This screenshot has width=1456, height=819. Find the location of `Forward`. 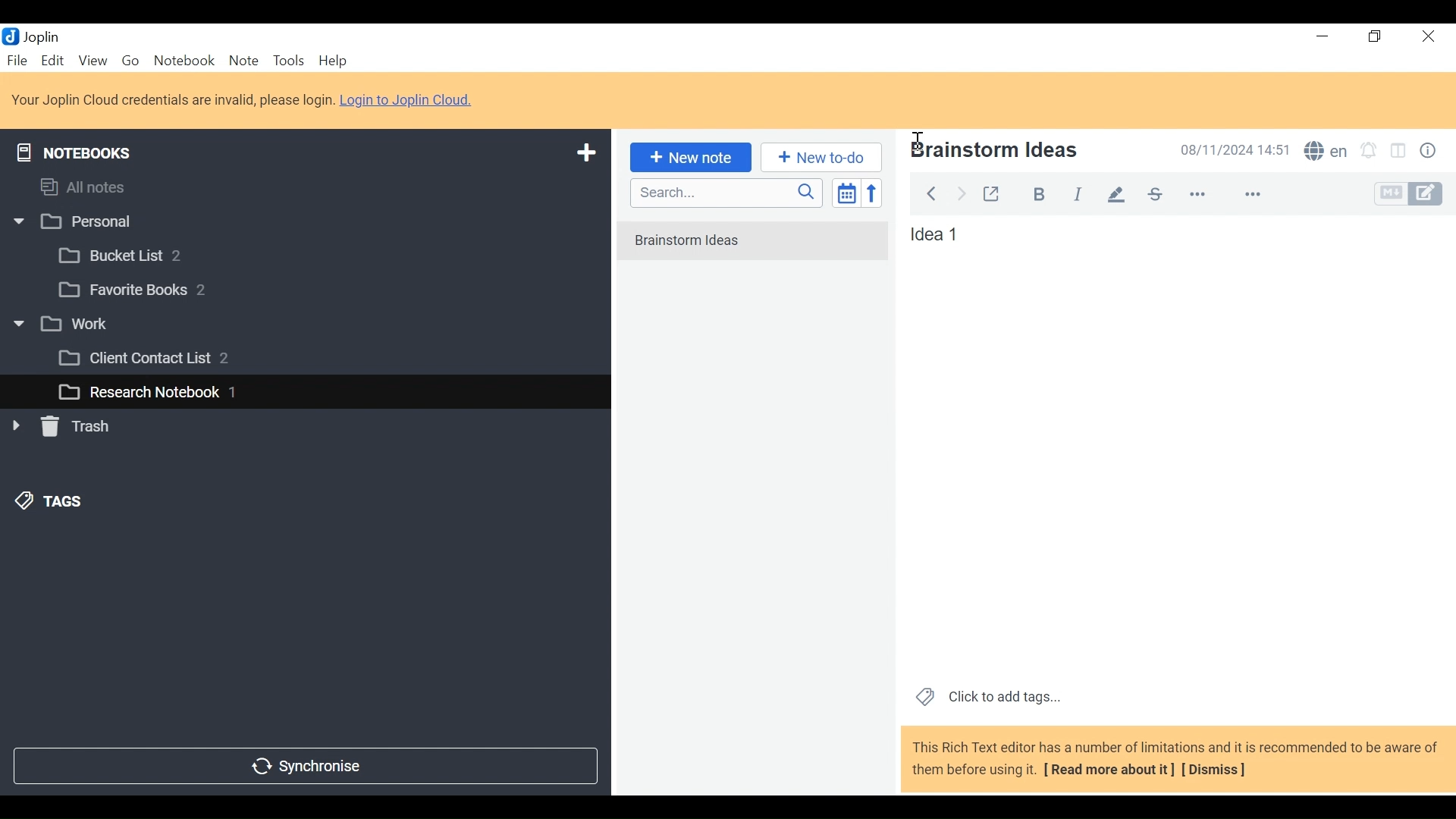

Forward is located at coordinates (962, 192).